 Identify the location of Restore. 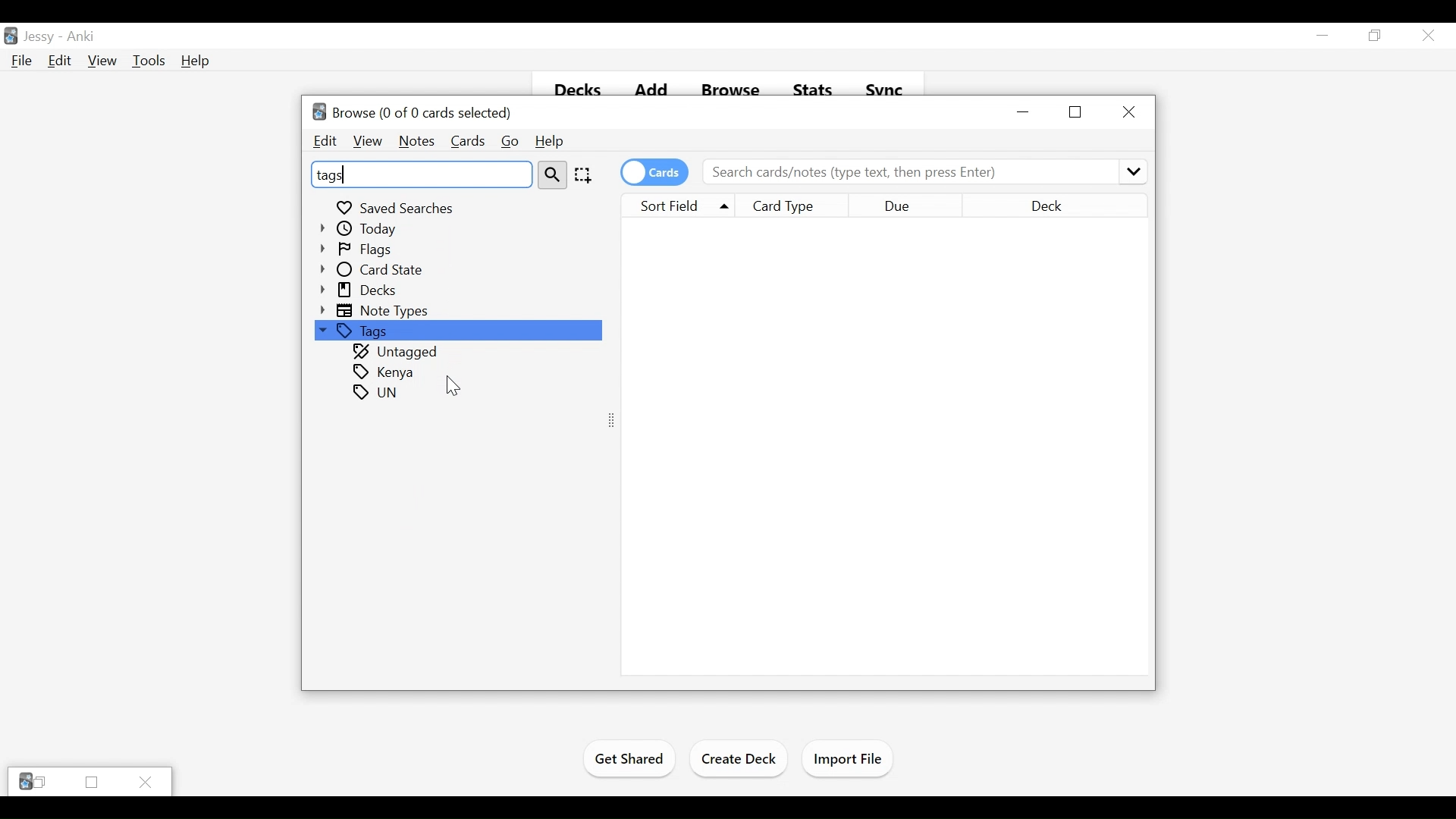
(1075, 111).